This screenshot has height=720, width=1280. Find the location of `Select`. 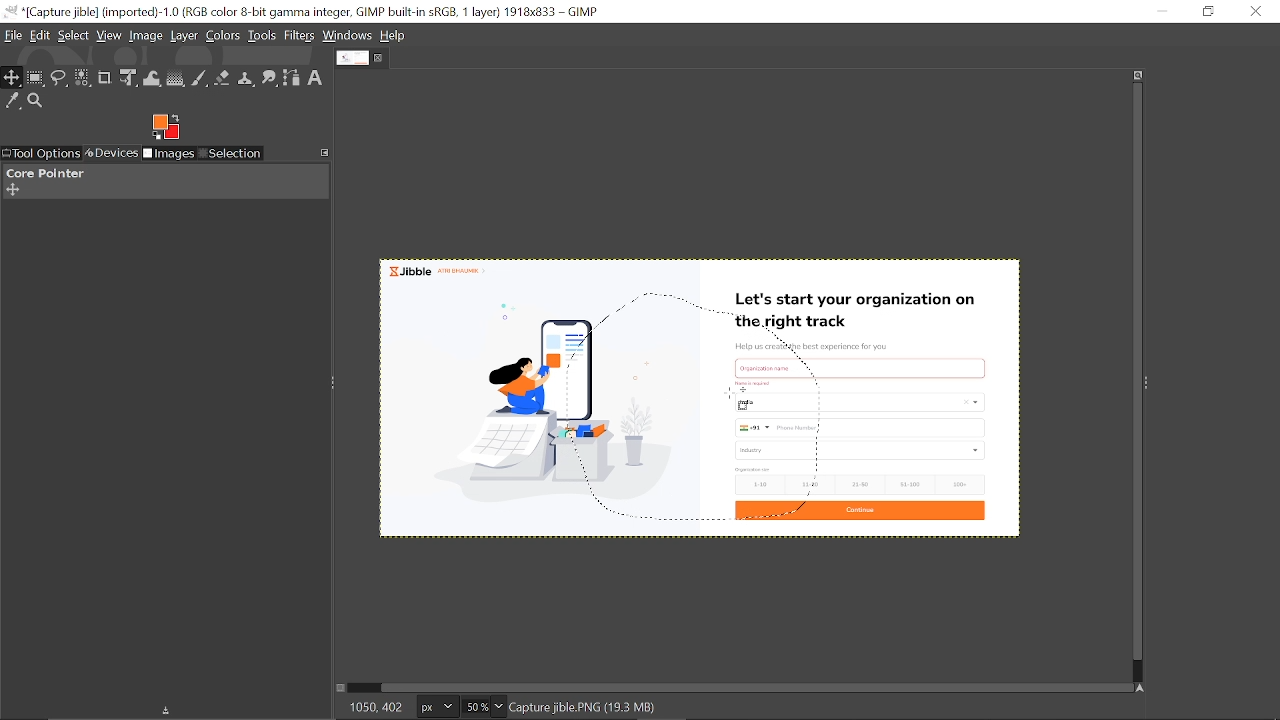

Select is located at coordinates (75, 36).